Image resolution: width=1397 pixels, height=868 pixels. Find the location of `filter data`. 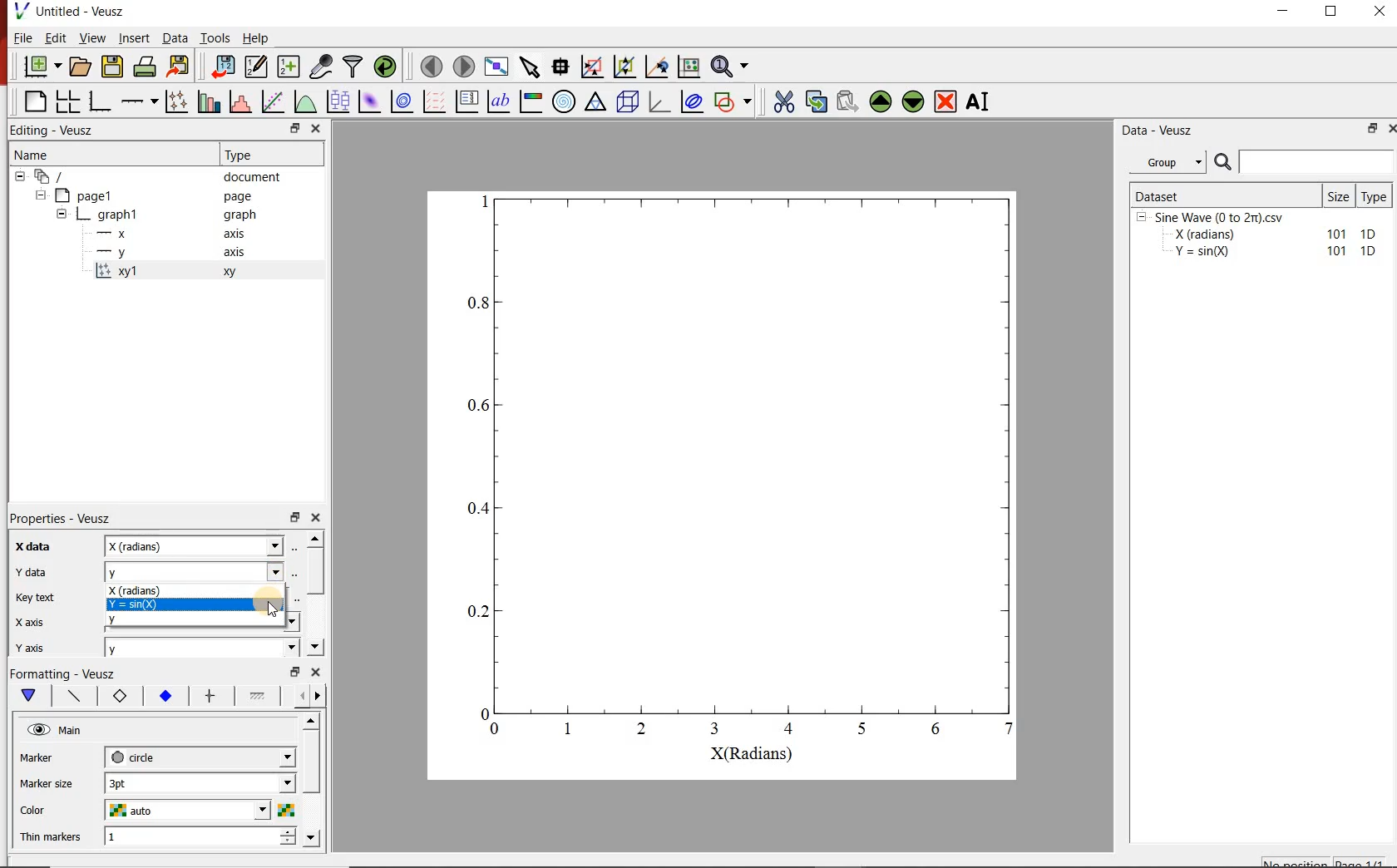

filter data is located at coordinates (354, 67).